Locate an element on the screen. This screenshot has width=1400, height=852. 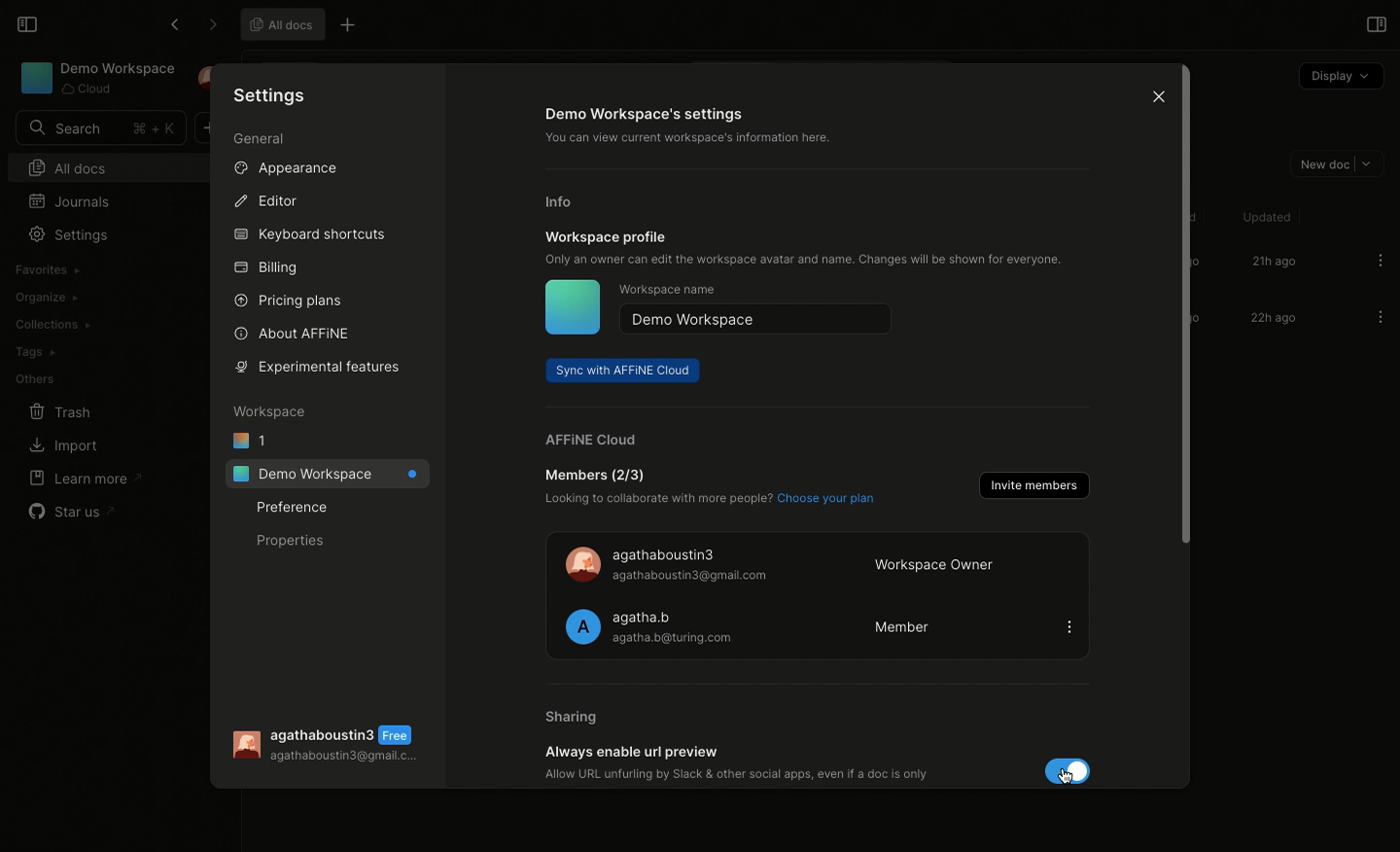
New doc is located at coordinates (1333, 162).